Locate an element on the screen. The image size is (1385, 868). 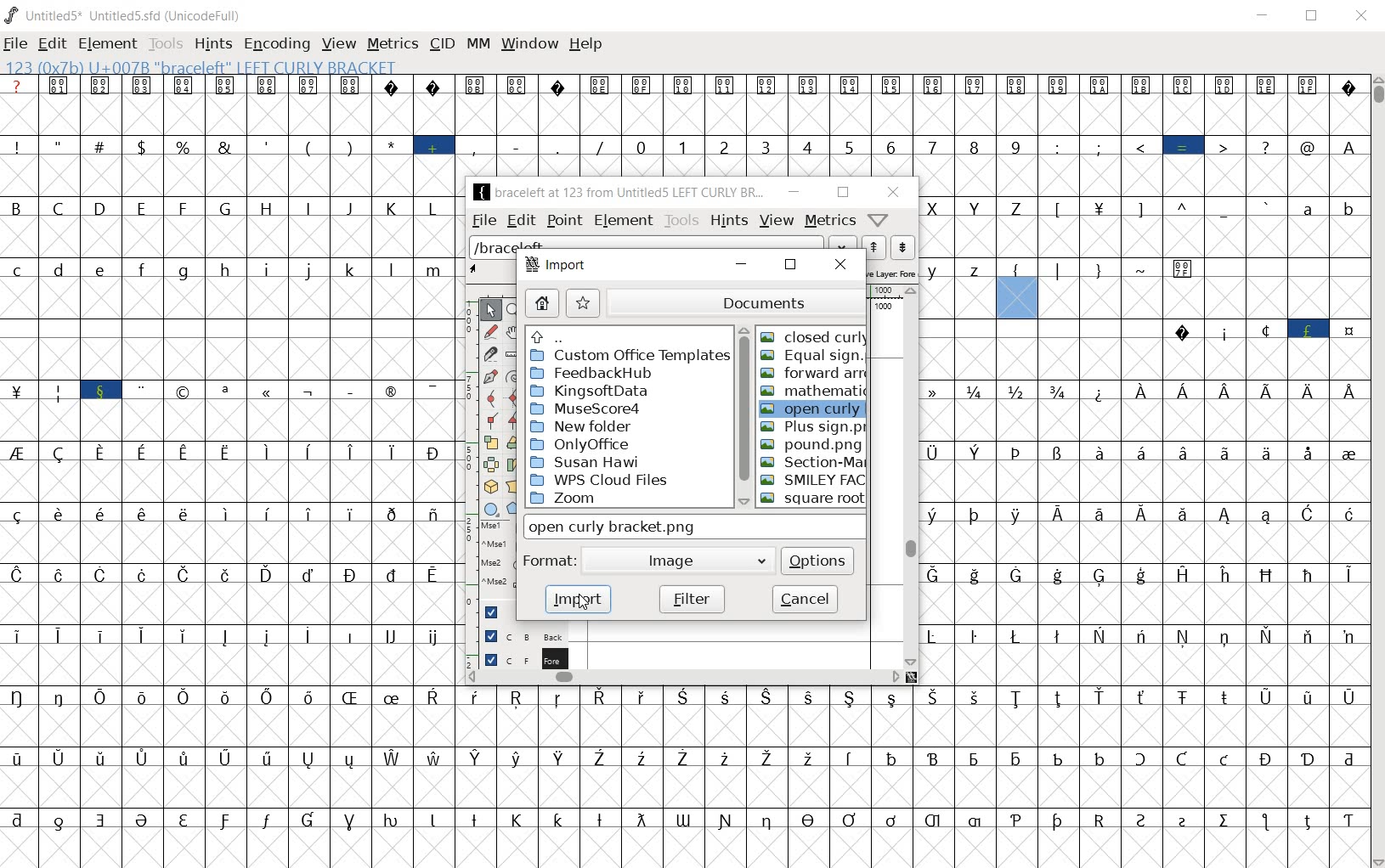
FeedbackHub is located at coordinates (595, 373).